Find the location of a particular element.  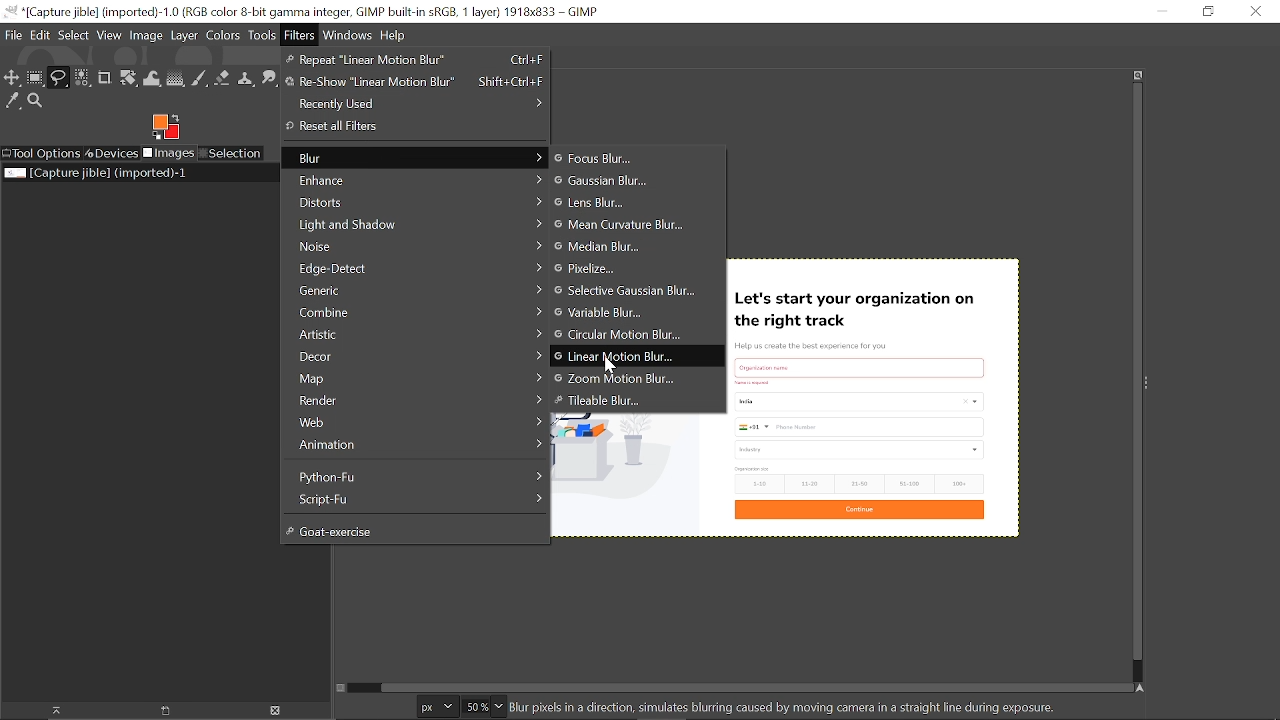

Foreground color is located at coordinates (166, 127).